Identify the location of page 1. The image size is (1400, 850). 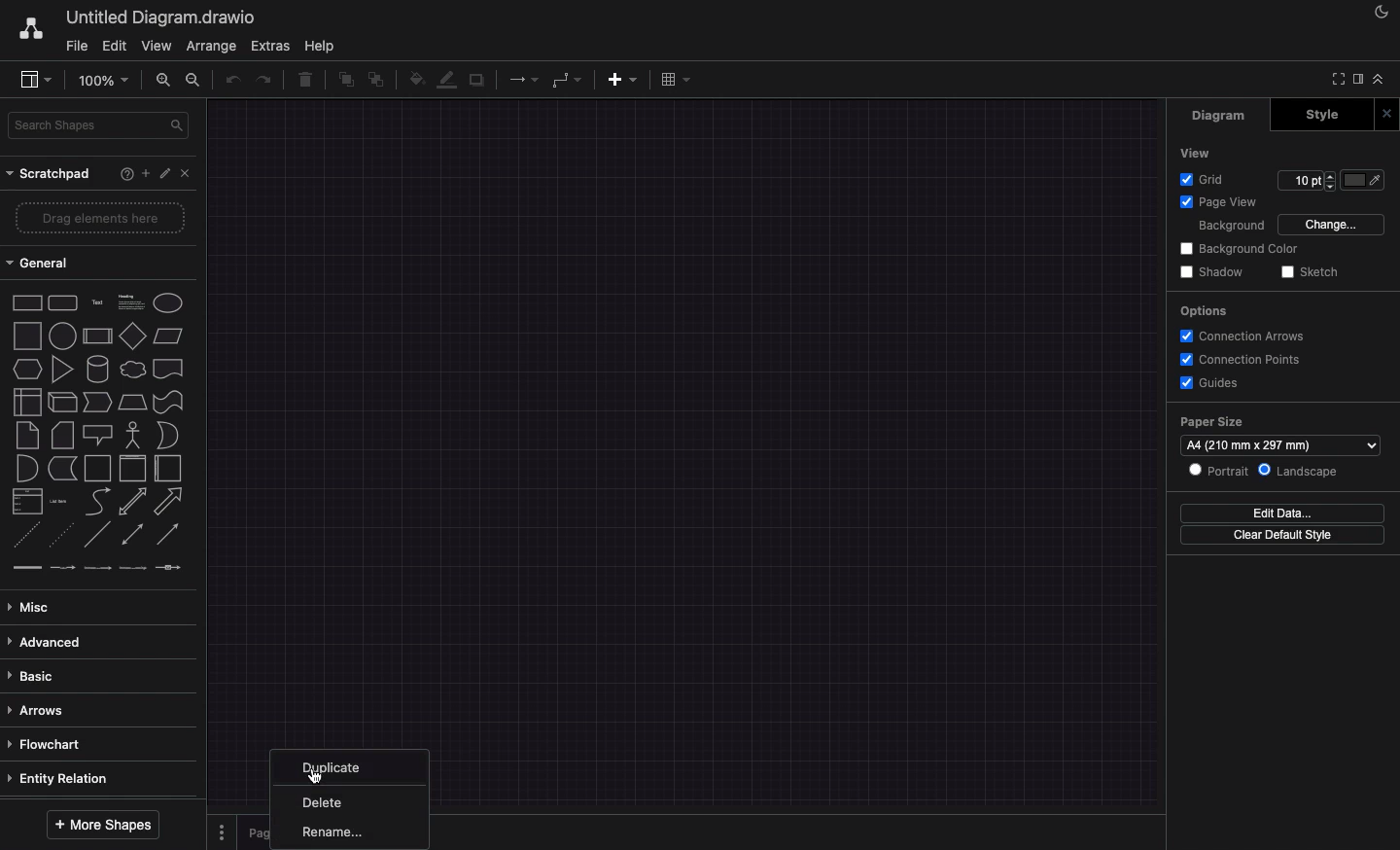
(254, 832).